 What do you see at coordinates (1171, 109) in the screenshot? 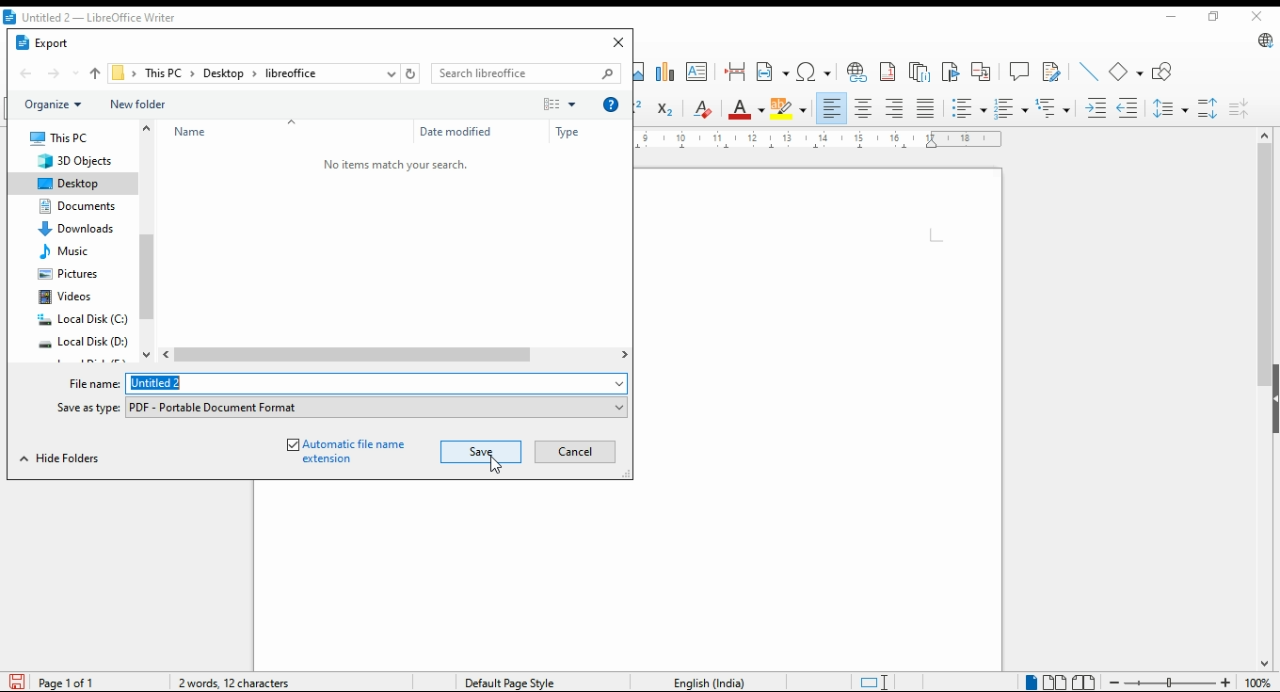
I see `set line spacing` at bounding box center [1171, 109].